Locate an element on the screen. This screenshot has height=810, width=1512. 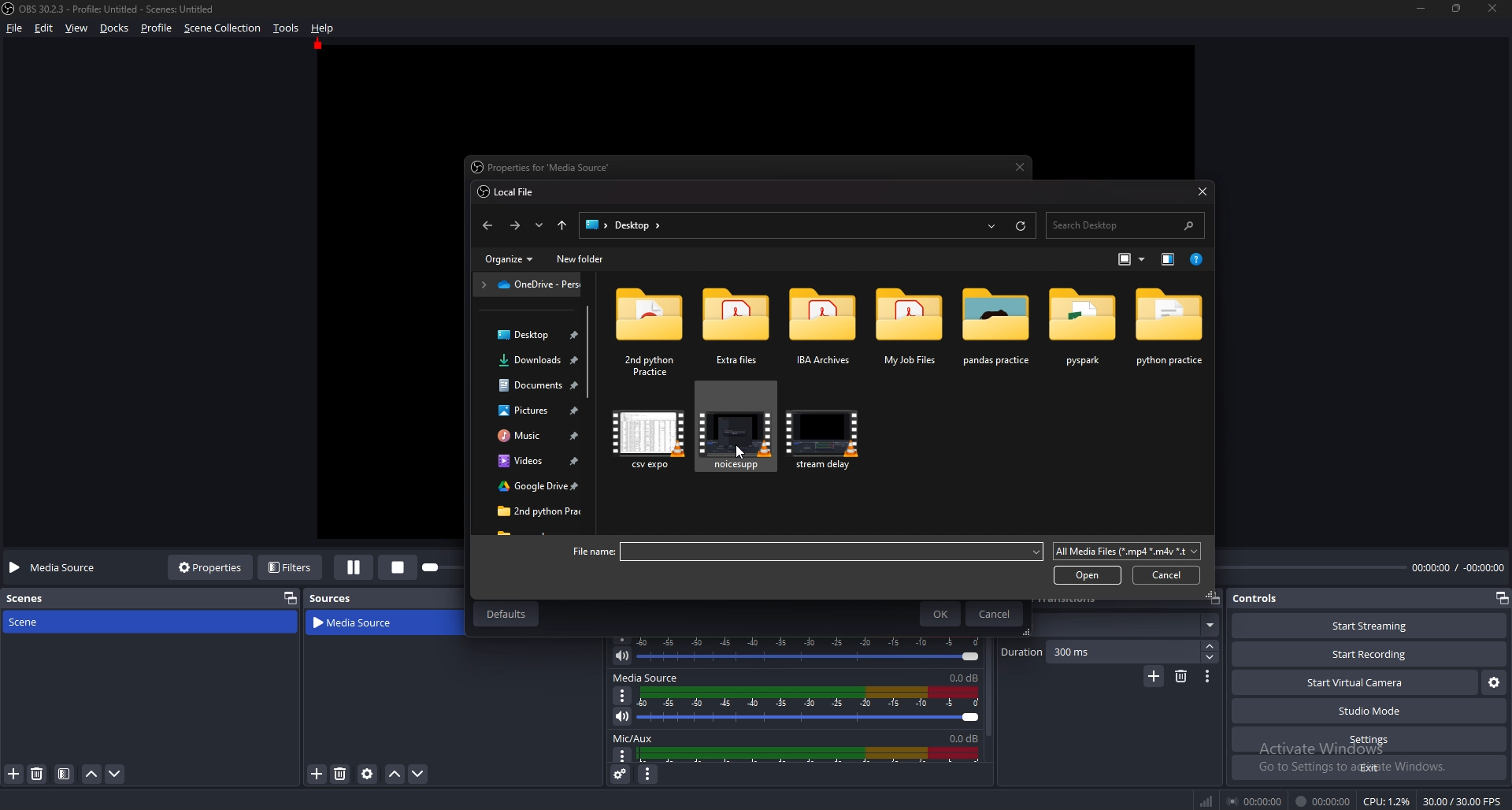
folder is located at coordinates (1084, 326).